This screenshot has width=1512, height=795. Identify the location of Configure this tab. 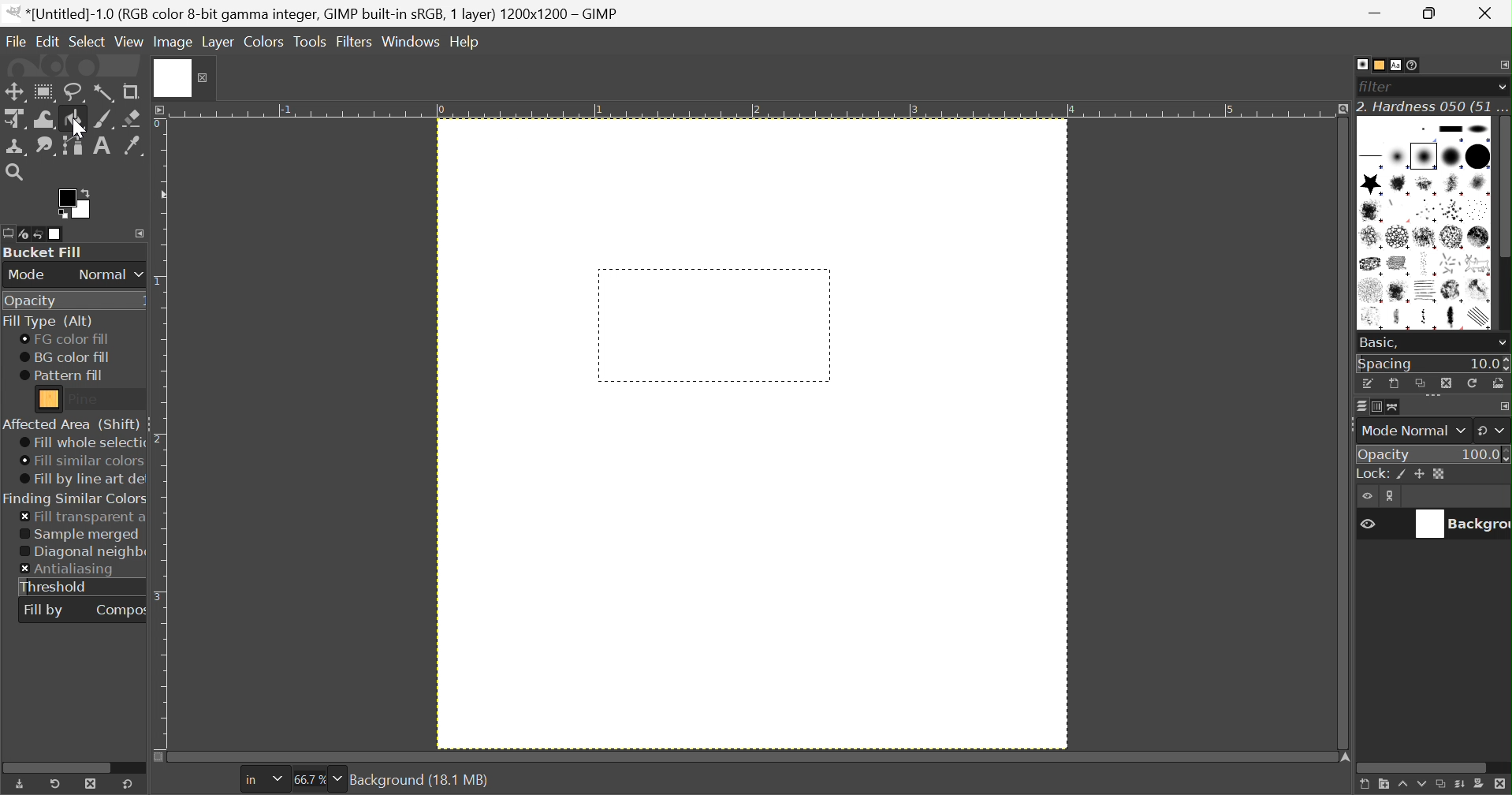
(140, 233).